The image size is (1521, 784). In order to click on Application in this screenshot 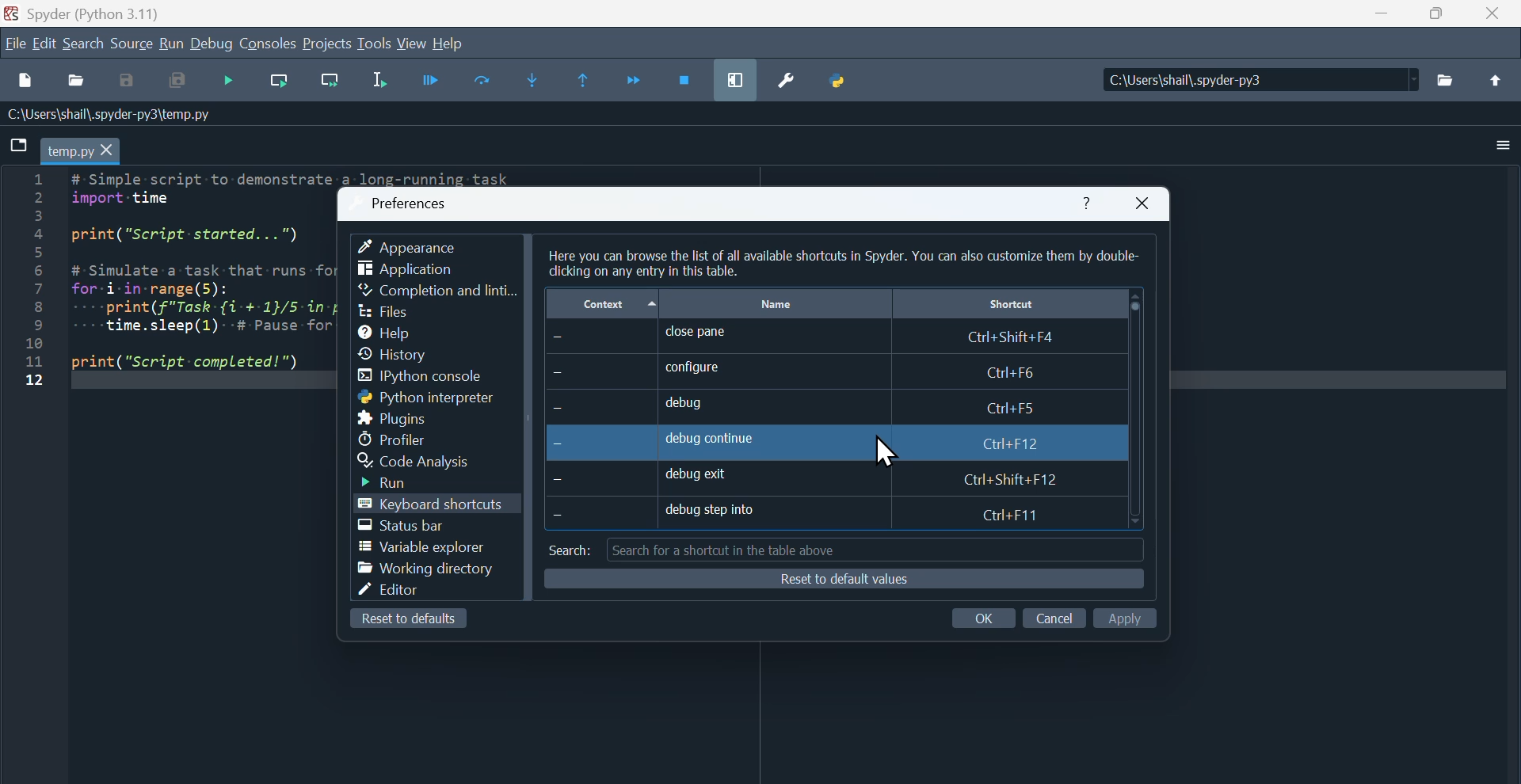, I will do `click(407, 270)`.